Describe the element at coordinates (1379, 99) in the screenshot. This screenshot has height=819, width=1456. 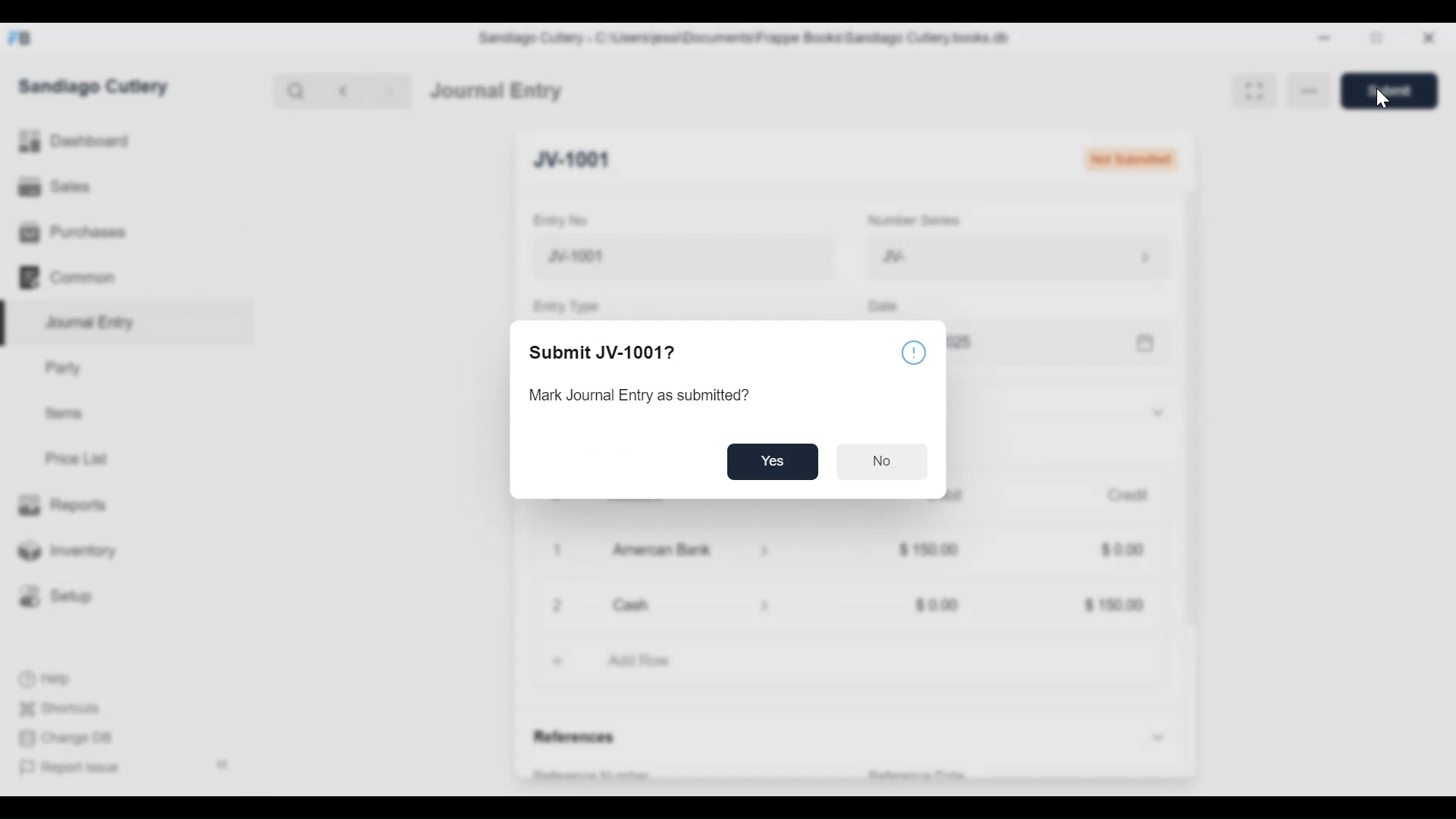
I see `cursor` at that location.